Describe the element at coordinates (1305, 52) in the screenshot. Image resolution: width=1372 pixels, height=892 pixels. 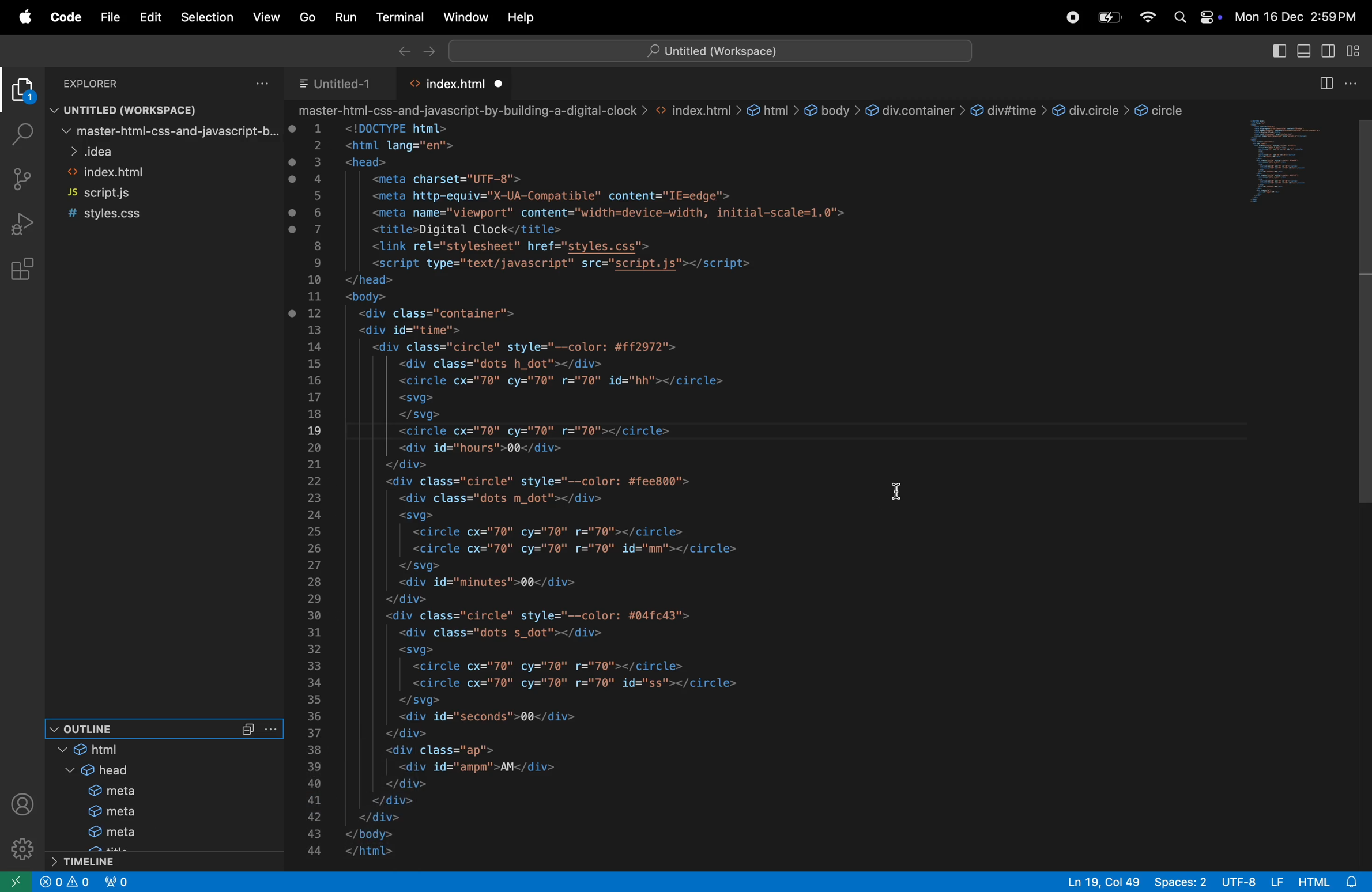
I see `toggle panel` at that location.